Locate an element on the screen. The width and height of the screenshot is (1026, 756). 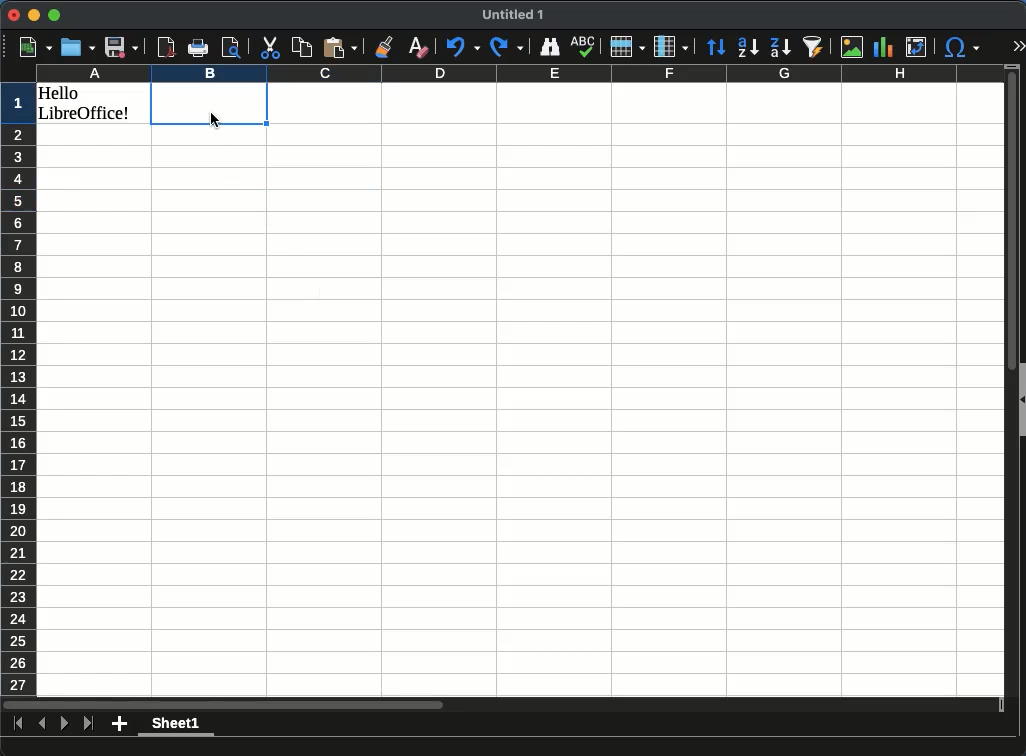
clear formatting is located at coordinates (414, 47).